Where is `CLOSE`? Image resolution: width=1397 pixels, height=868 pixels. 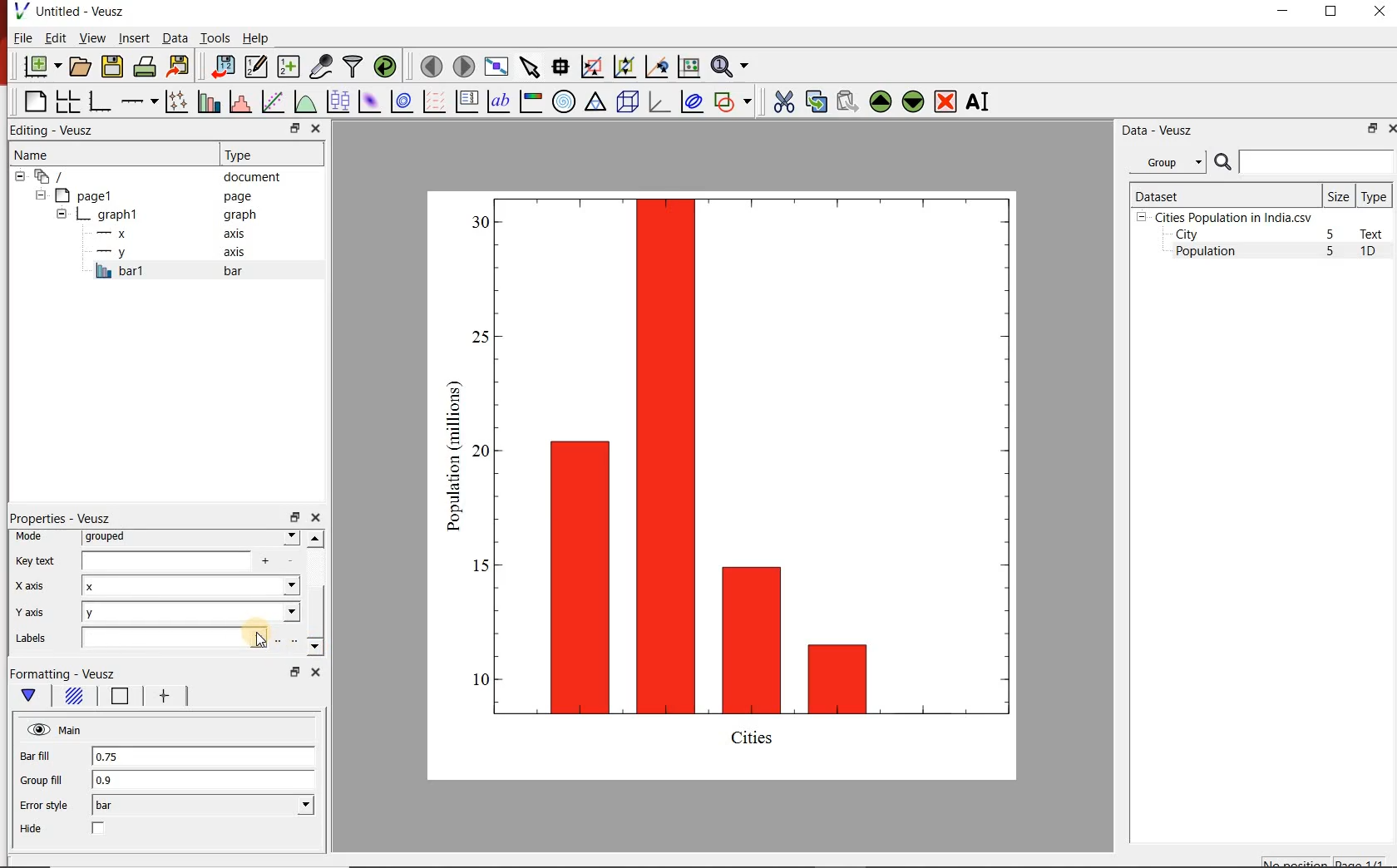
CLOSE is located at coordinates (1378, 13).